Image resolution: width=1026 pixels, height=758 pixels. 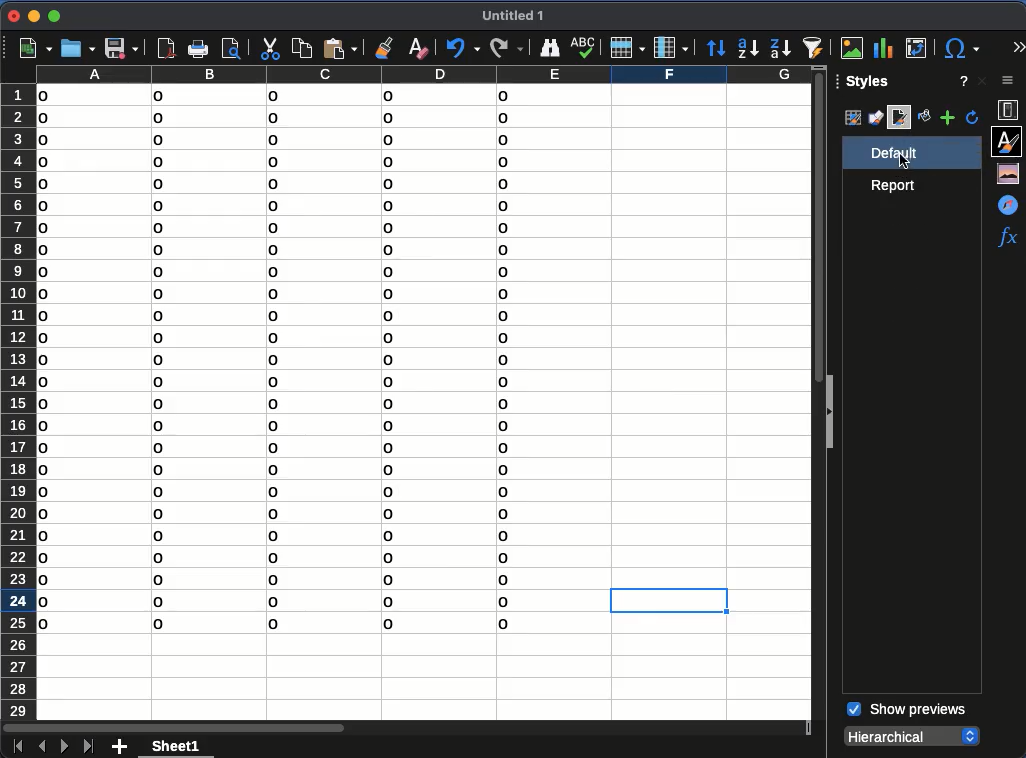 I want to click on previous sheet, so click(x=40, y=747).